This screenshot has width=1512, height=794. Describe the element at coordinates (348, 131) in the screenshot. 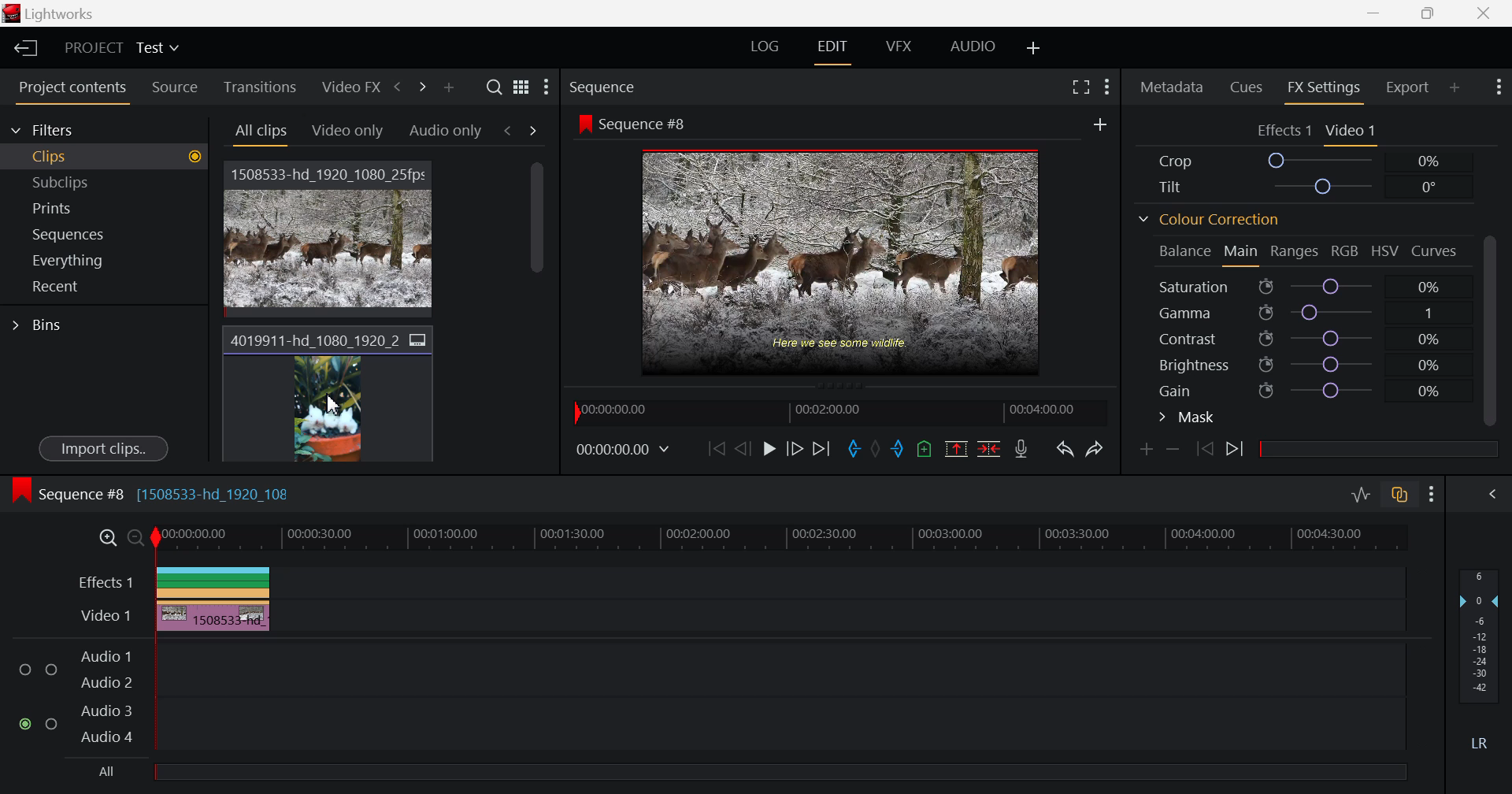

I see `Video only` at that location.